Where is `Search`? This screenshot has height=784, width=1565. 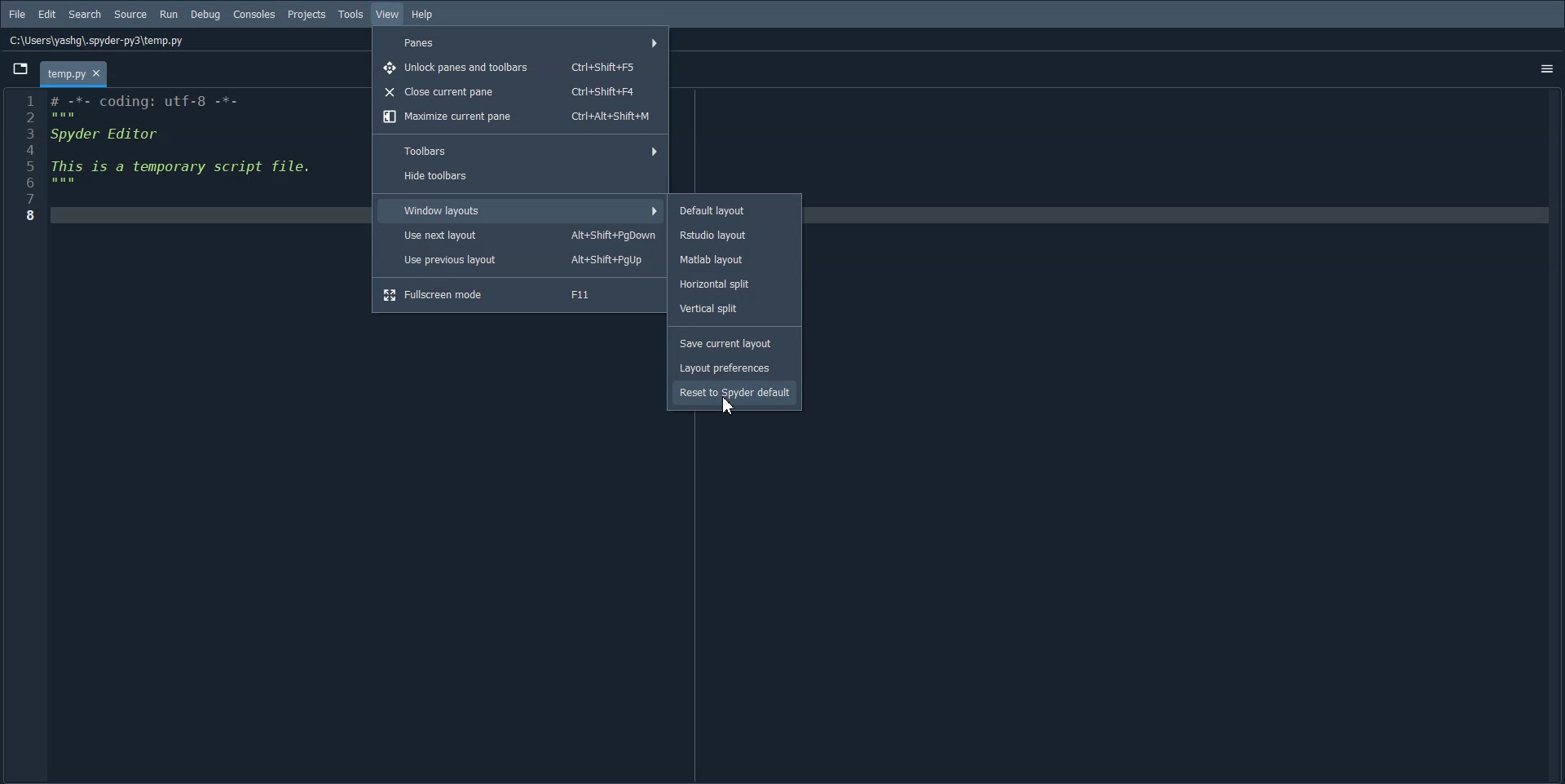
Search is located at coordinates (85, 15).